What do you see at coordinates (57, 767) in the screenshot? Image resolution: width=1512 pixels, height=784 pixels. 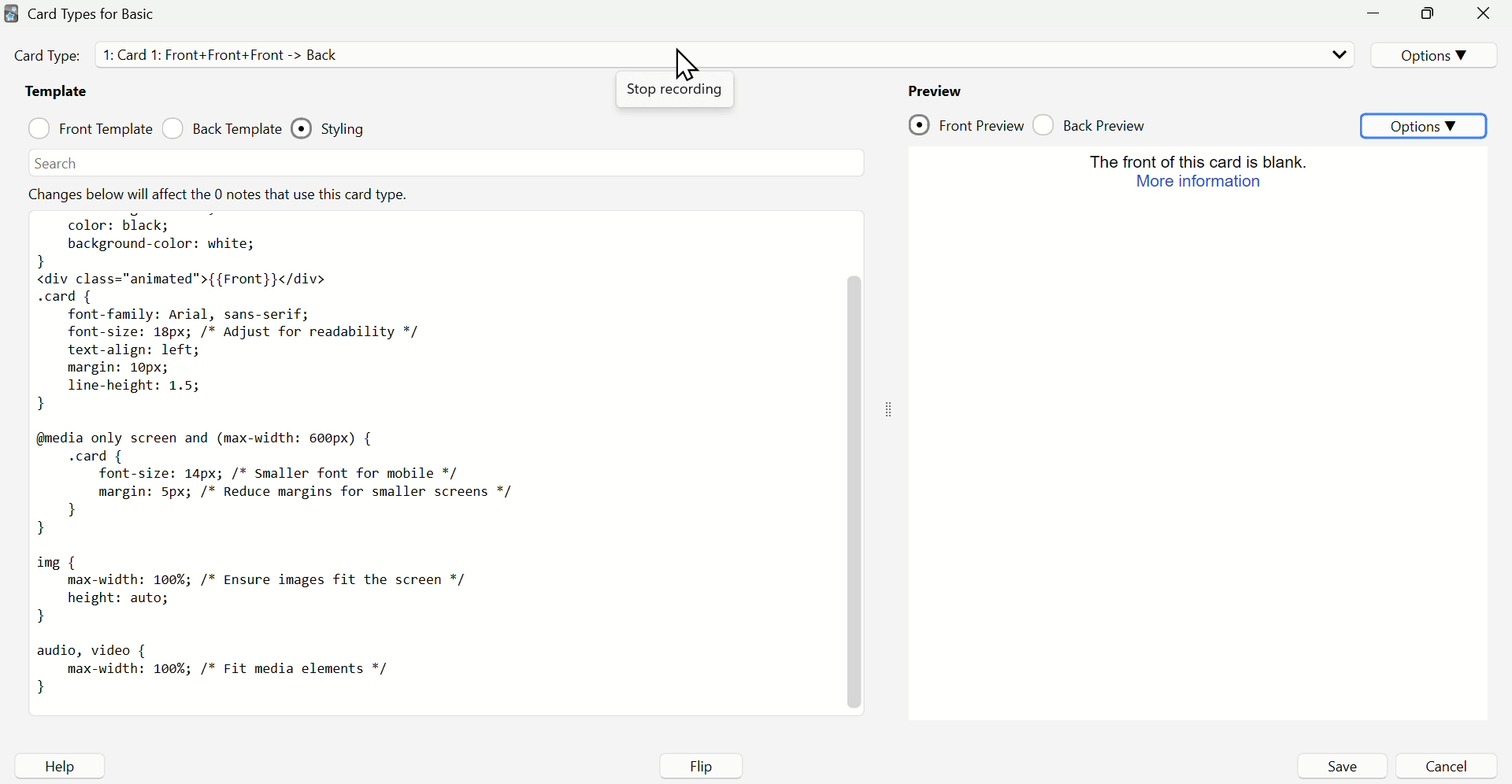 I see `Help` at bounding box center [57, 767].